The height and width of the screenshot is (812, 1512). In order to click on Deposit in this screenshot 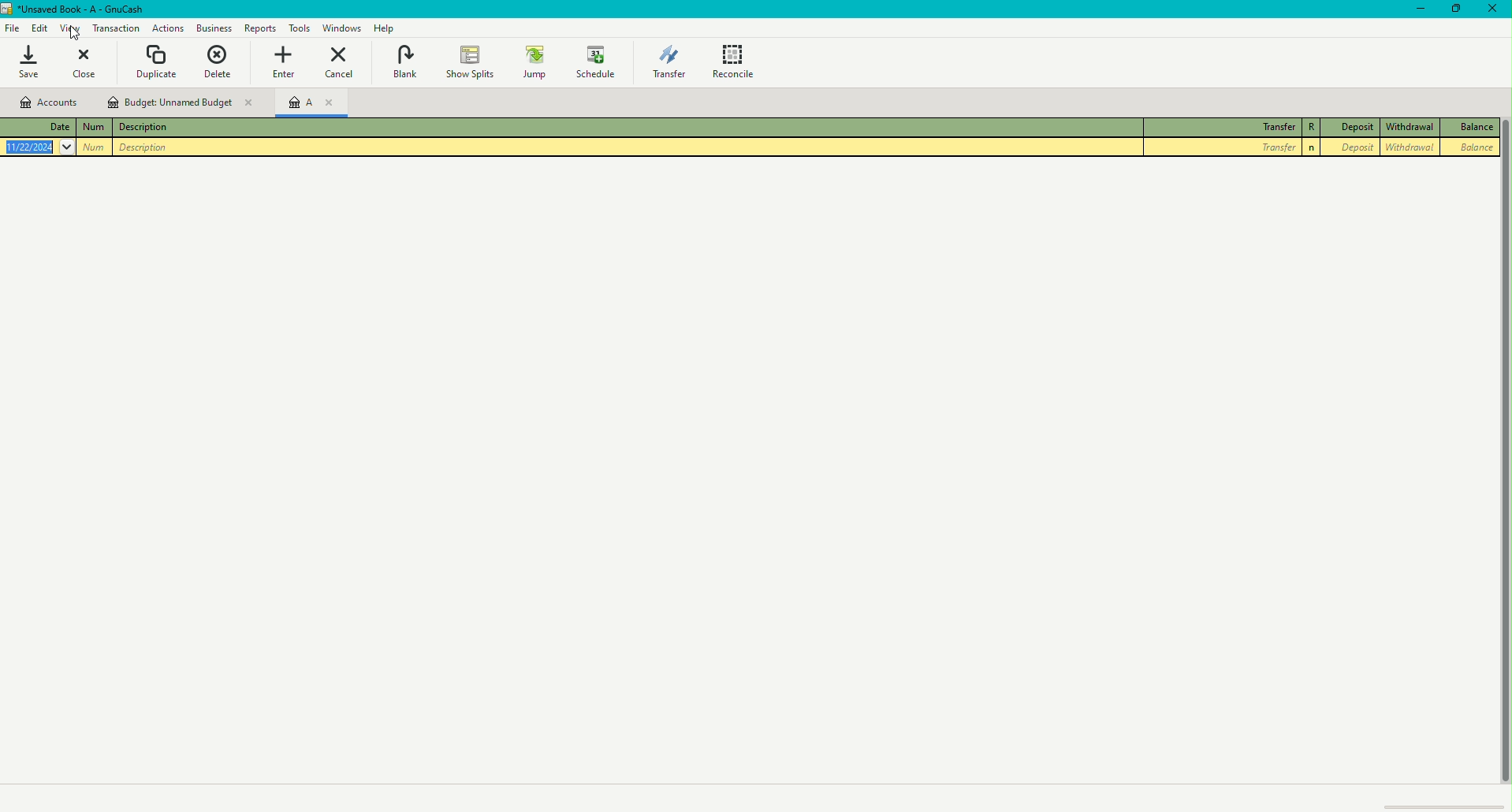, I will do `click(1356, 127)`.